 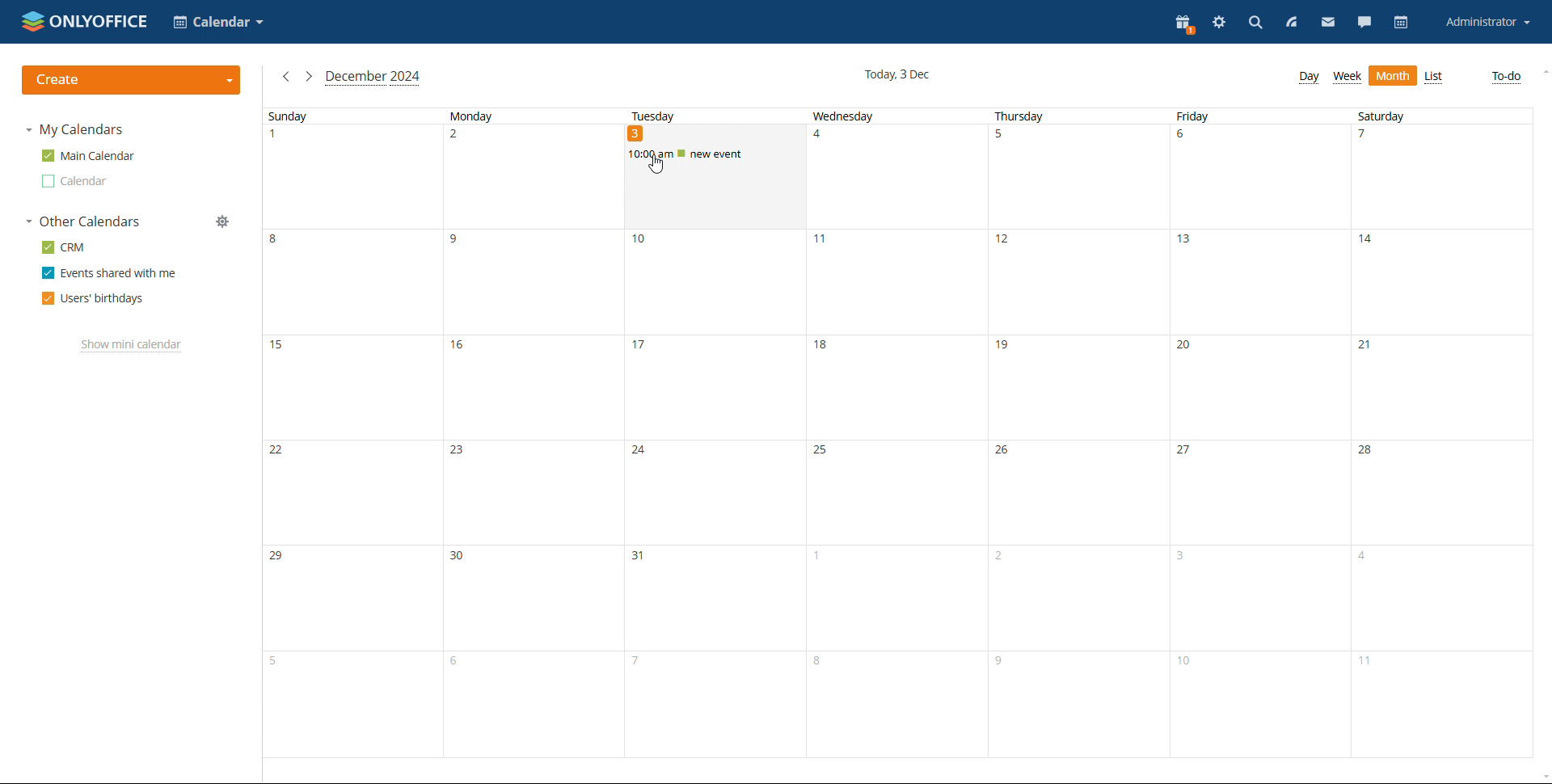 I want to click on main calendar, so click(x=89, y=155).